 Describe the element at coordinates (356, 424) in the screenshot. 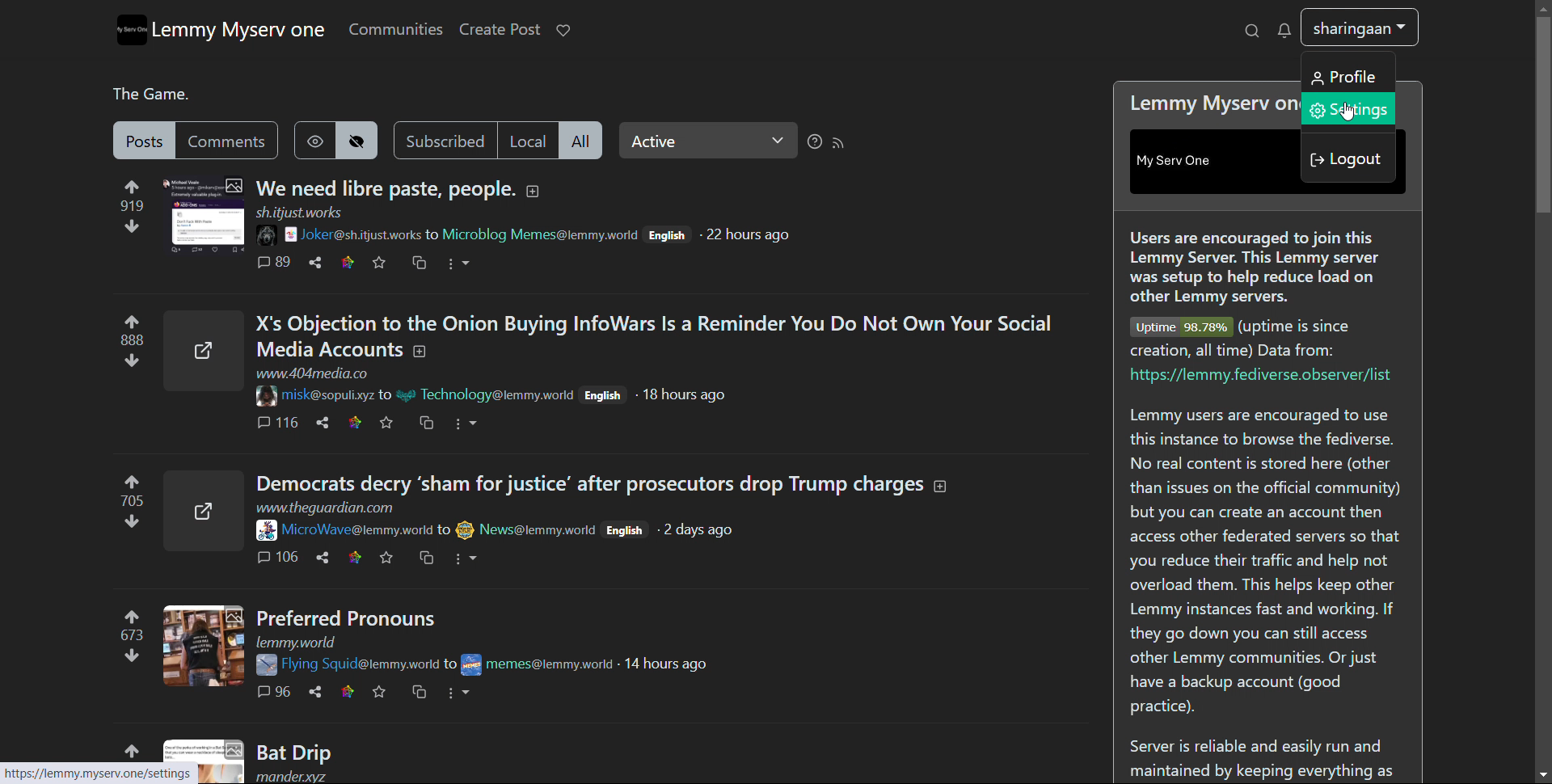

I see `link` at that location.